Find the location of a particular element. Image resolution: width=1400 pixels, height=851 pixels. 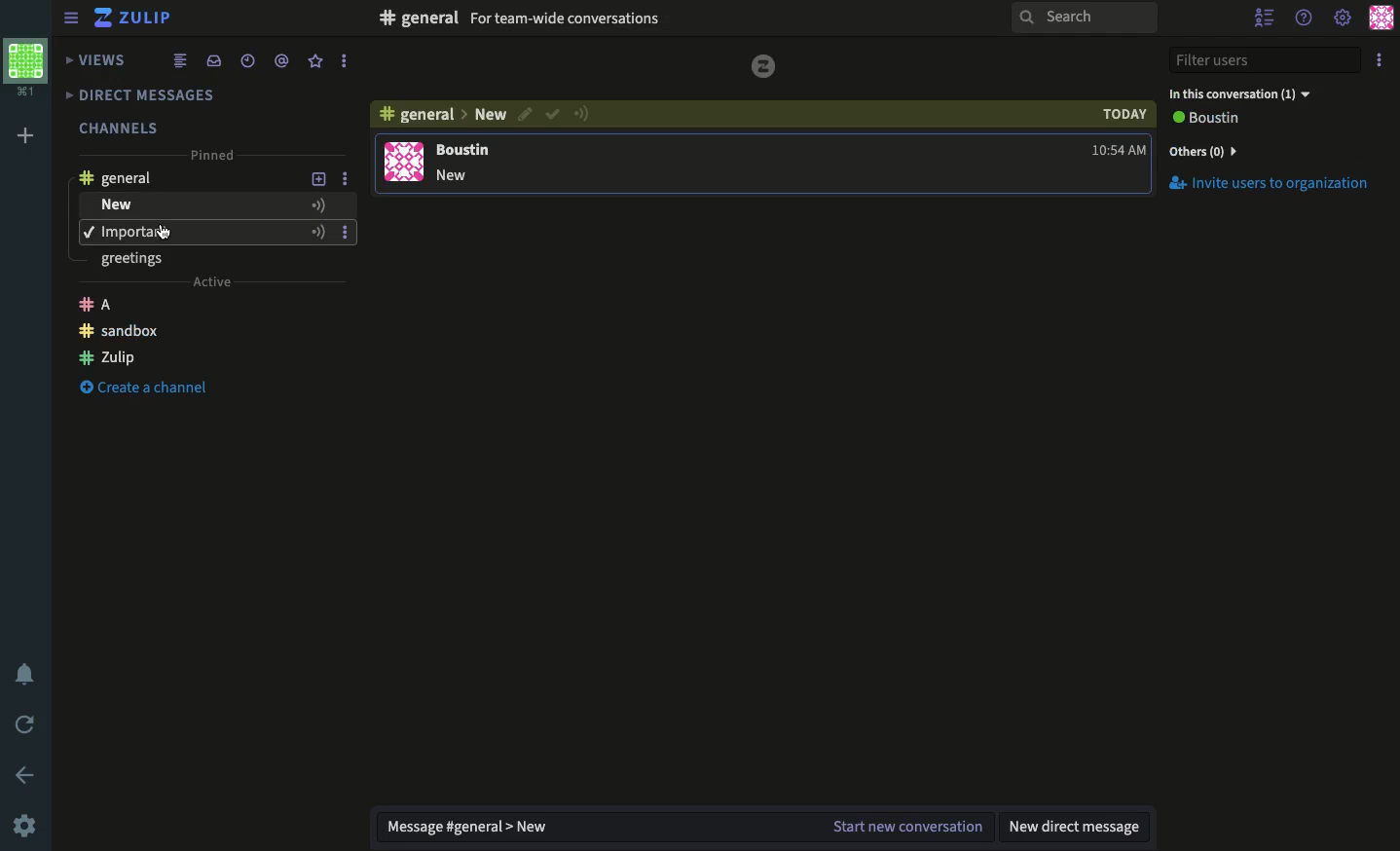

Inbox is located at coordinates (614, 20).